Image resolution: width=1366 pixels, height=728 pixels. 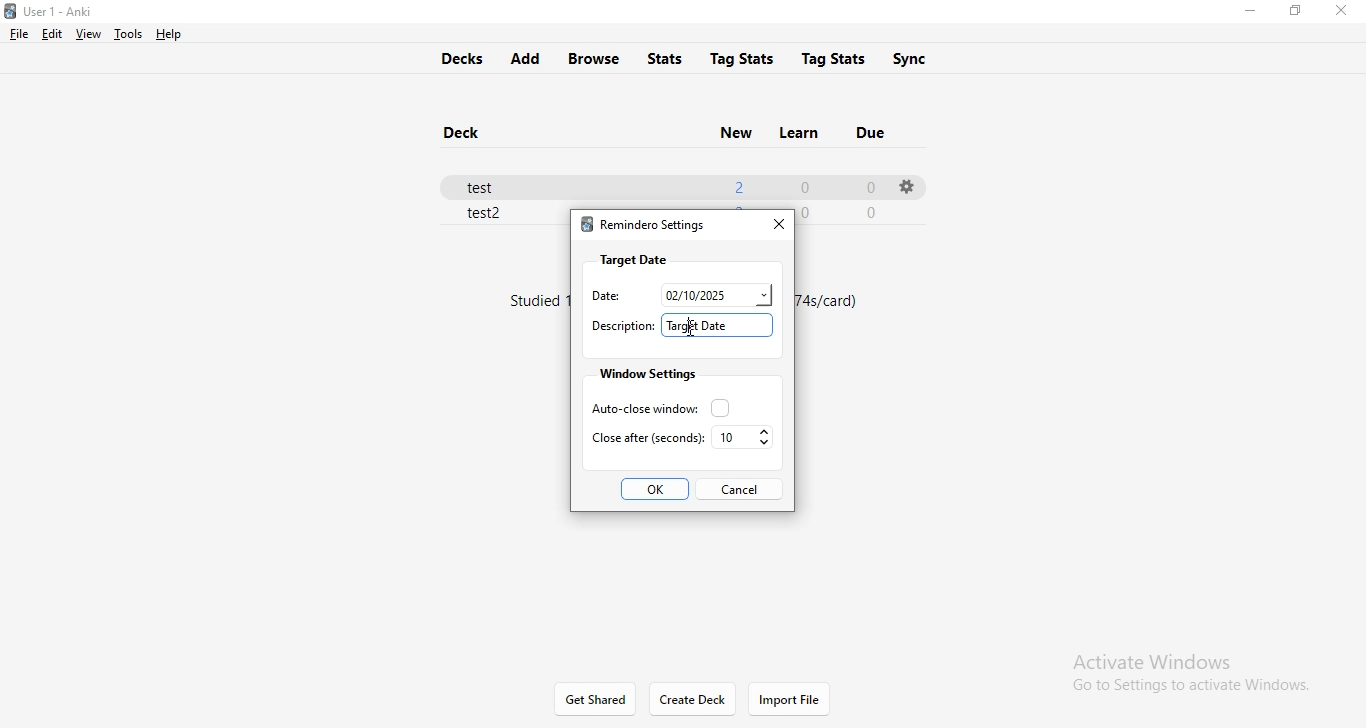 I want to click on Anki, so click(x=58, y=12).